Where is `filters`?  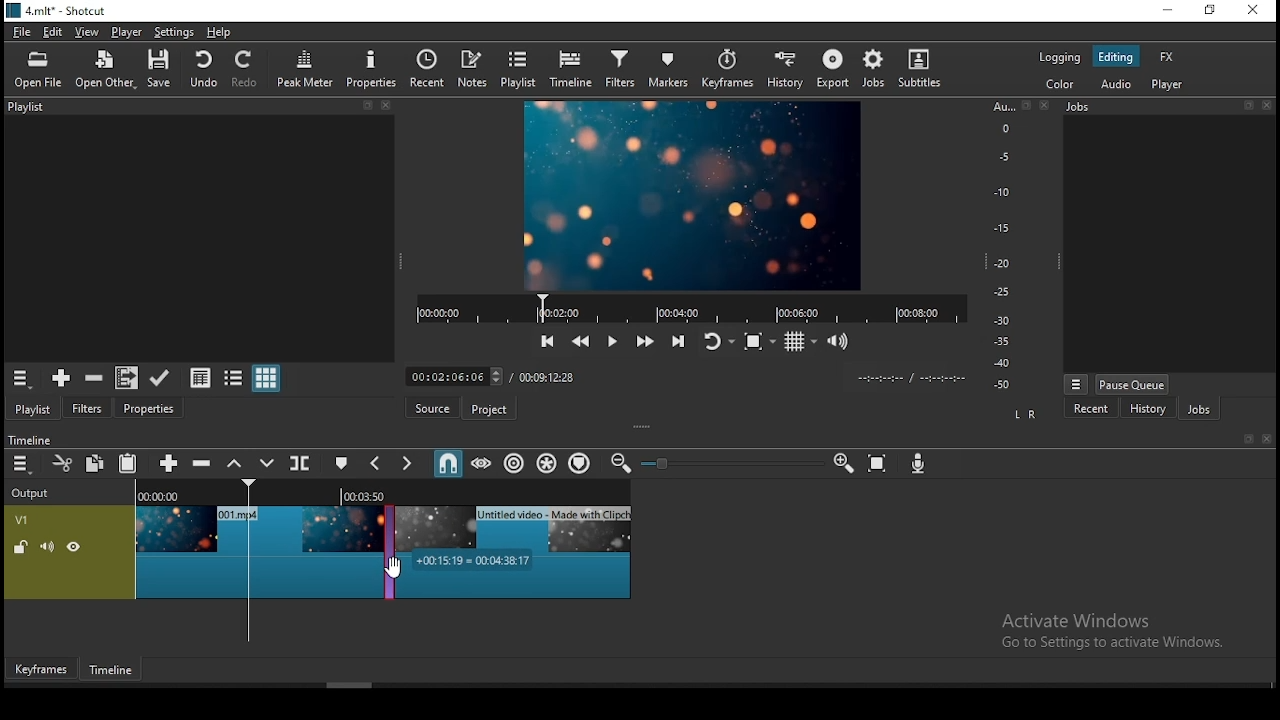
filters is located at coordinates (623, 69).